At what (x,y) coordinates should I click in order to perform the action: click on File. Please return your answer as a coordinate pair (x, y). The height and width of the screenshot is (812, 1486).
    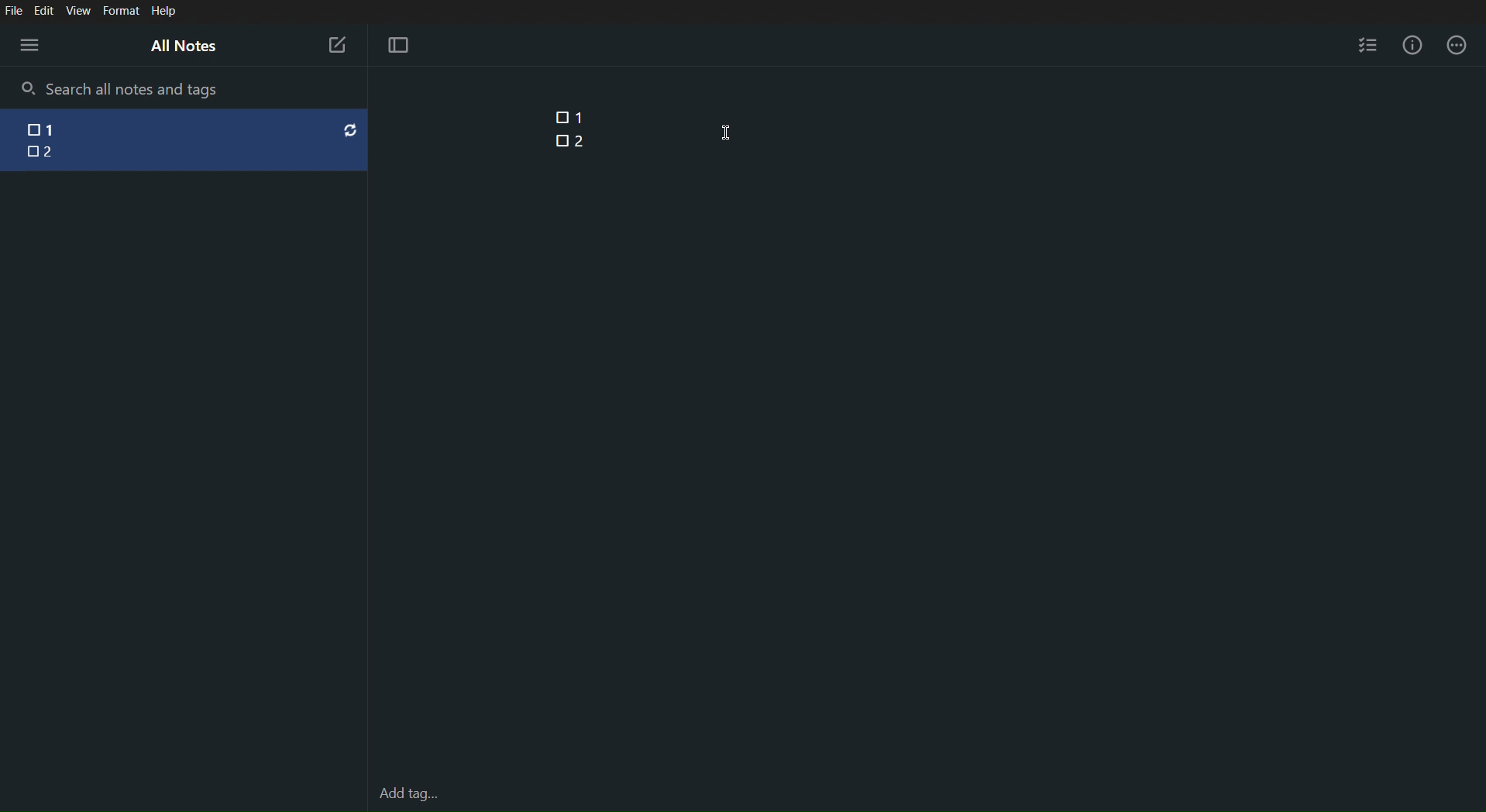
    Looking at the image, I should click on (13, 10).